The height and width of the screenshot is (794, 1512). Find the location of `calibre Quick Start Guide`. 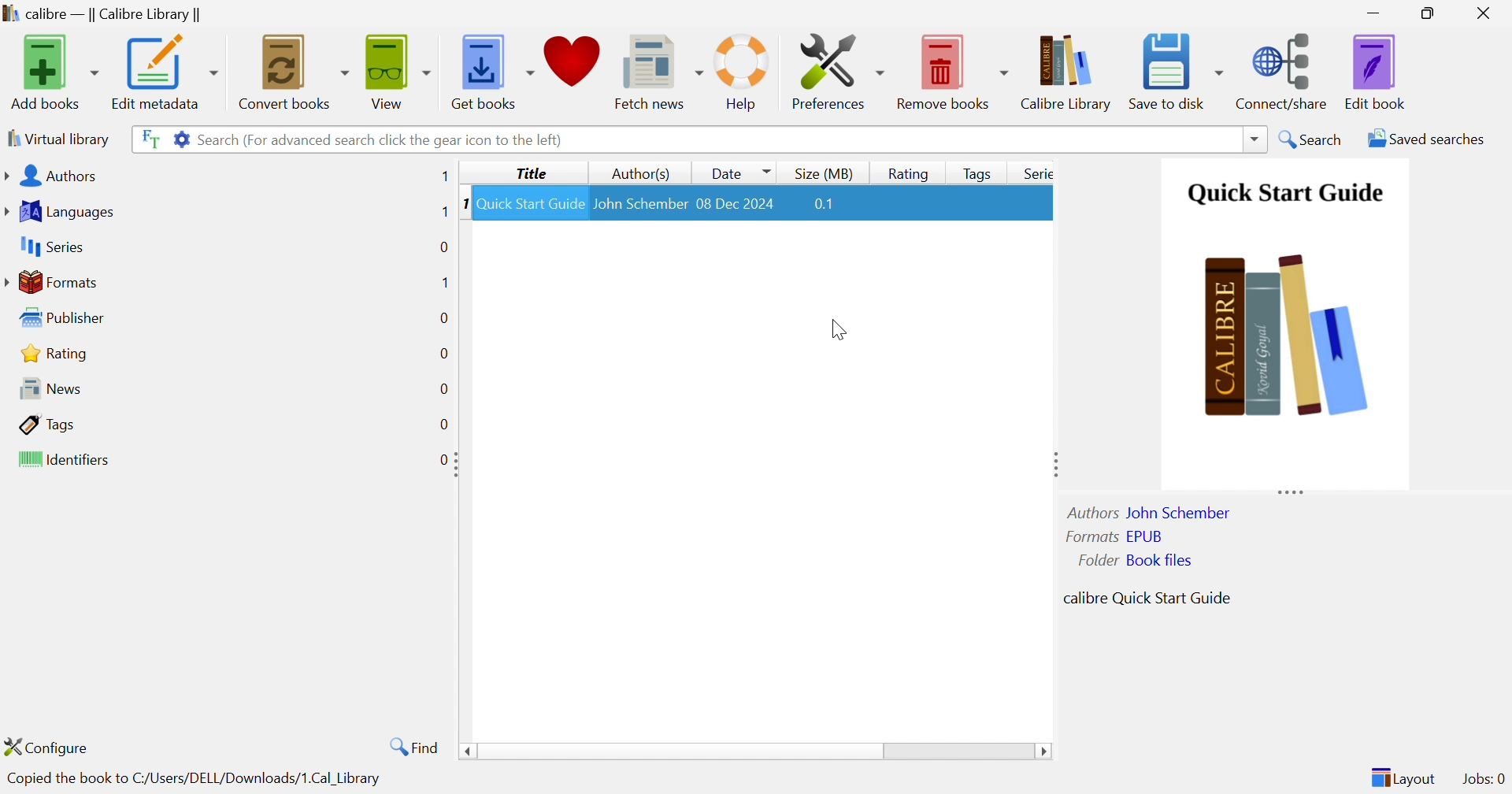

calibre Quick Start Guide is located at coordinates (1146, 596).